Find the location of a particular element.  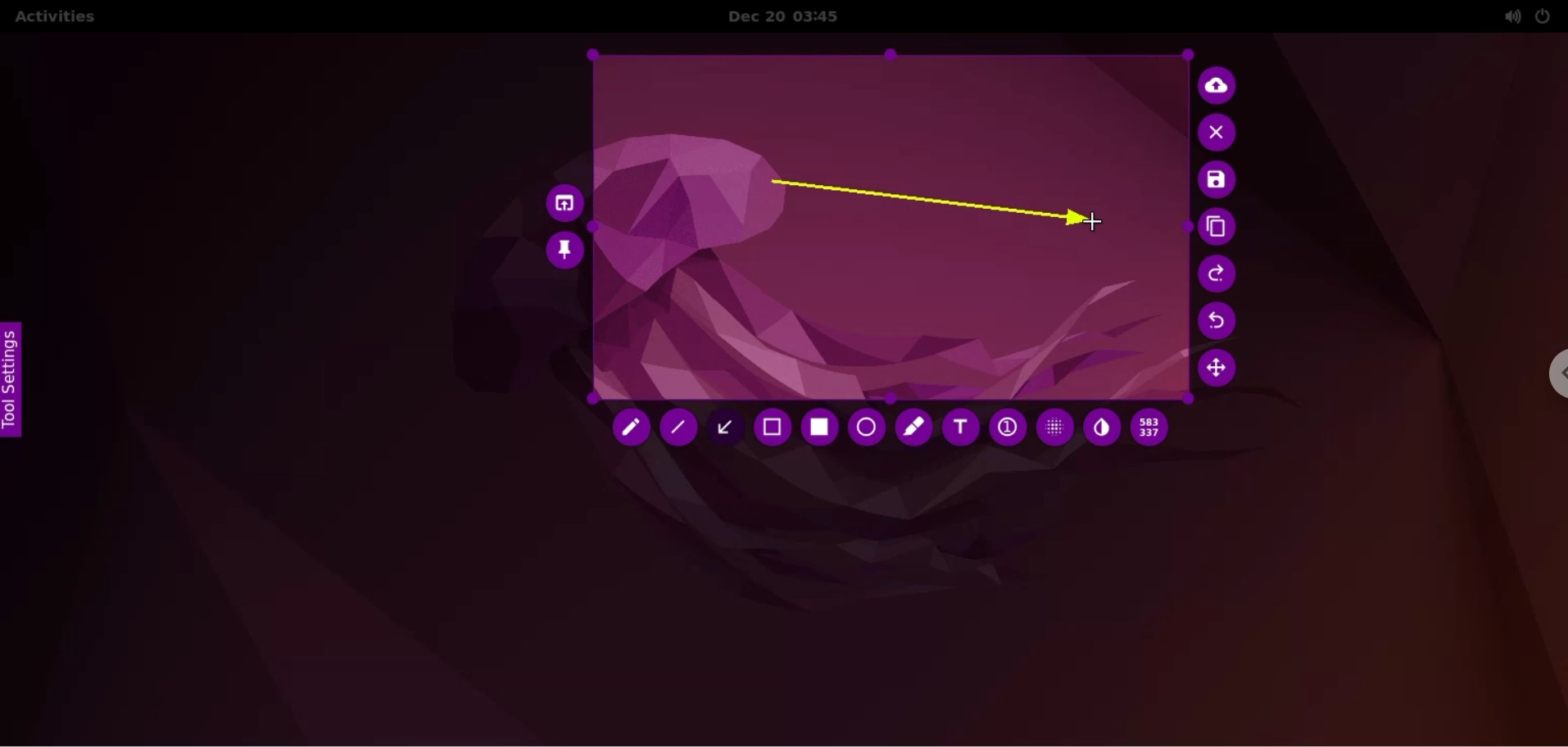

pixellate tool is located at coordinates (1050, 427).